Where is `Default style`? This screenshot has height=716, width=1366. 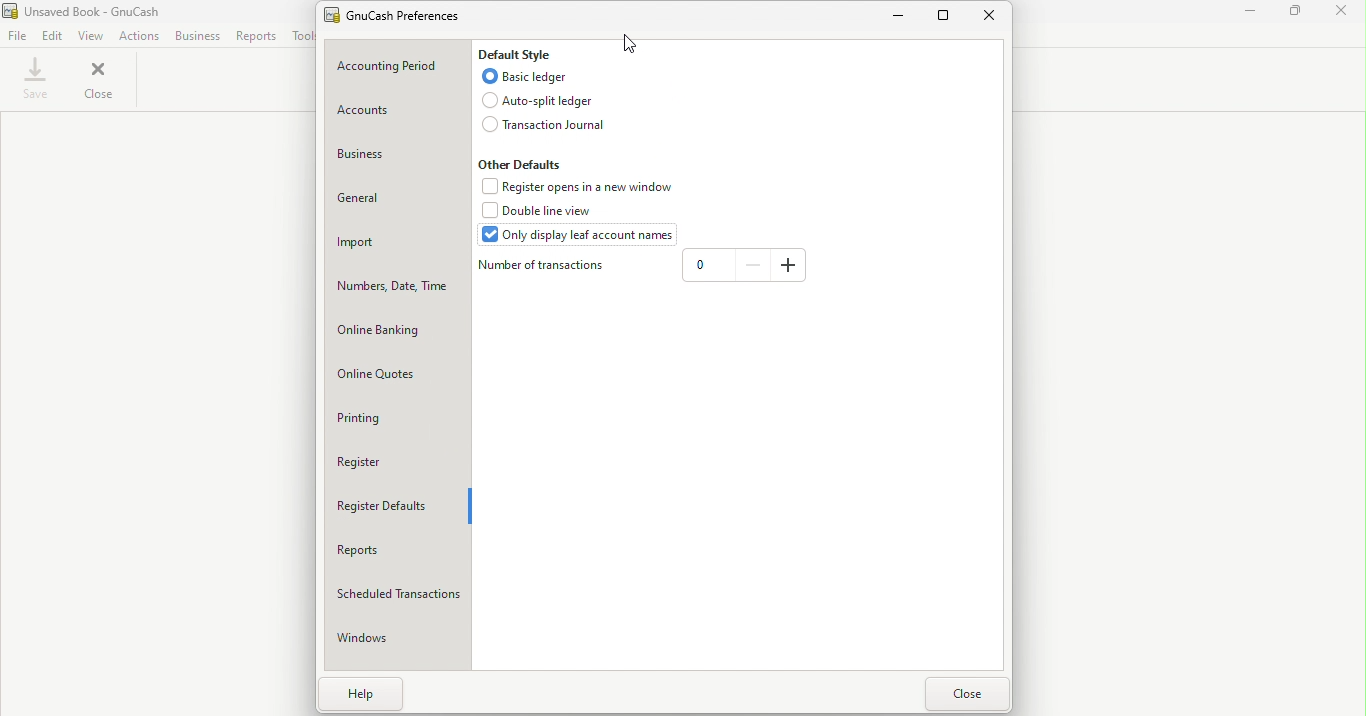 Default style is located at coordinates (520, 53).